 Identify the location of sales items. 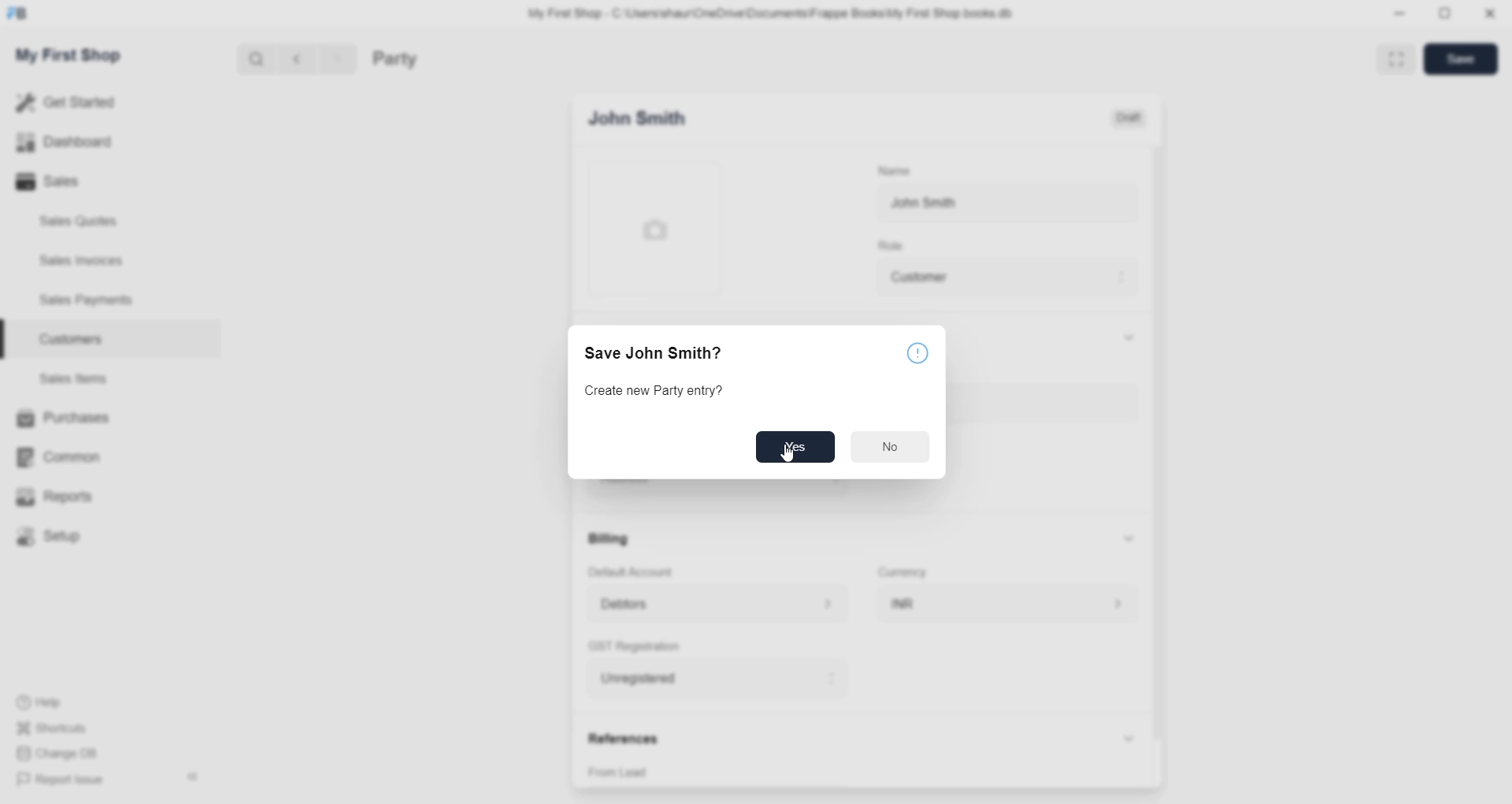
(73, 378).